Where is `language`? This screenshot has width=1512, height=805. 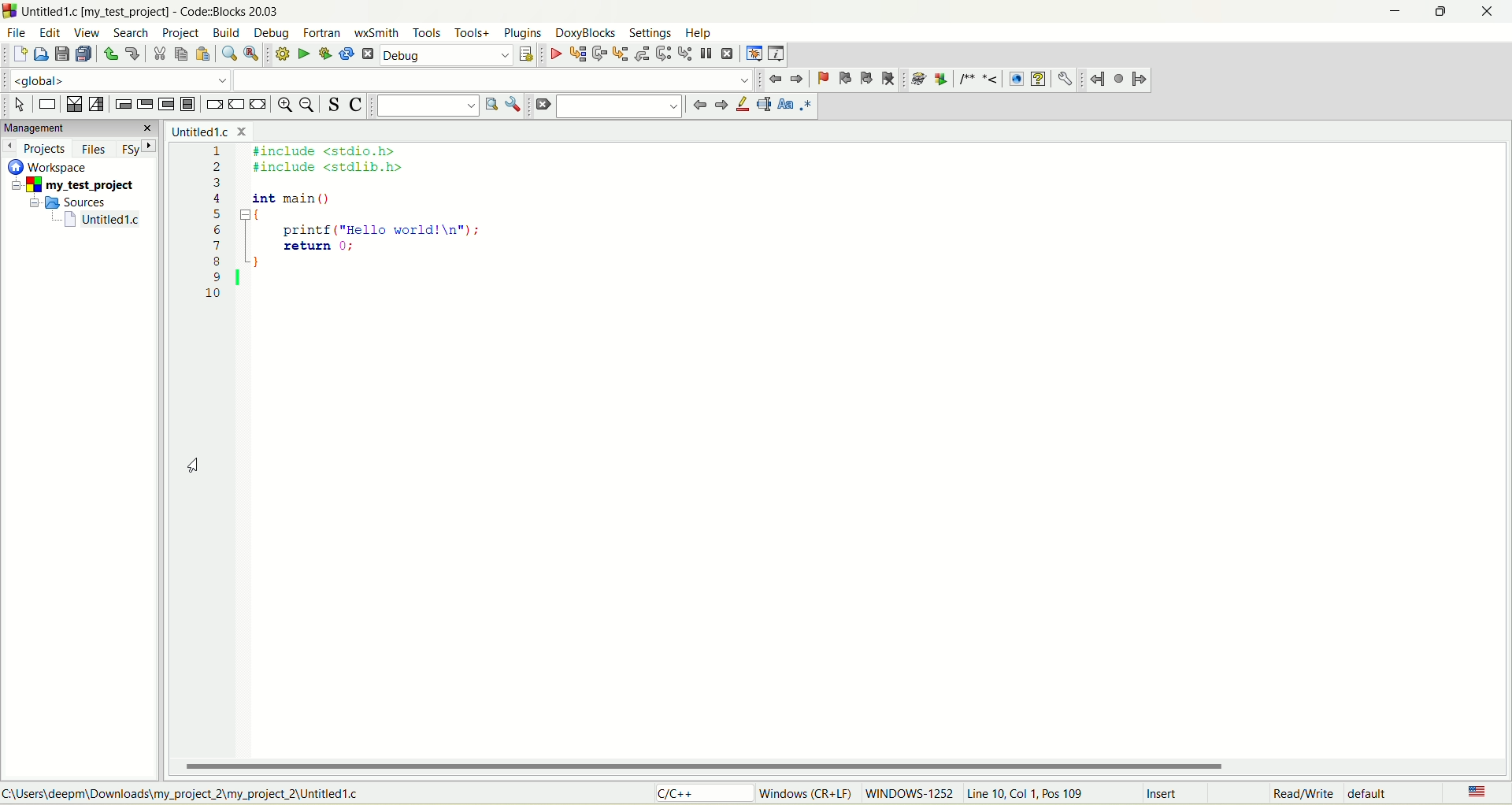
language is located at coordinates (1480, 792).